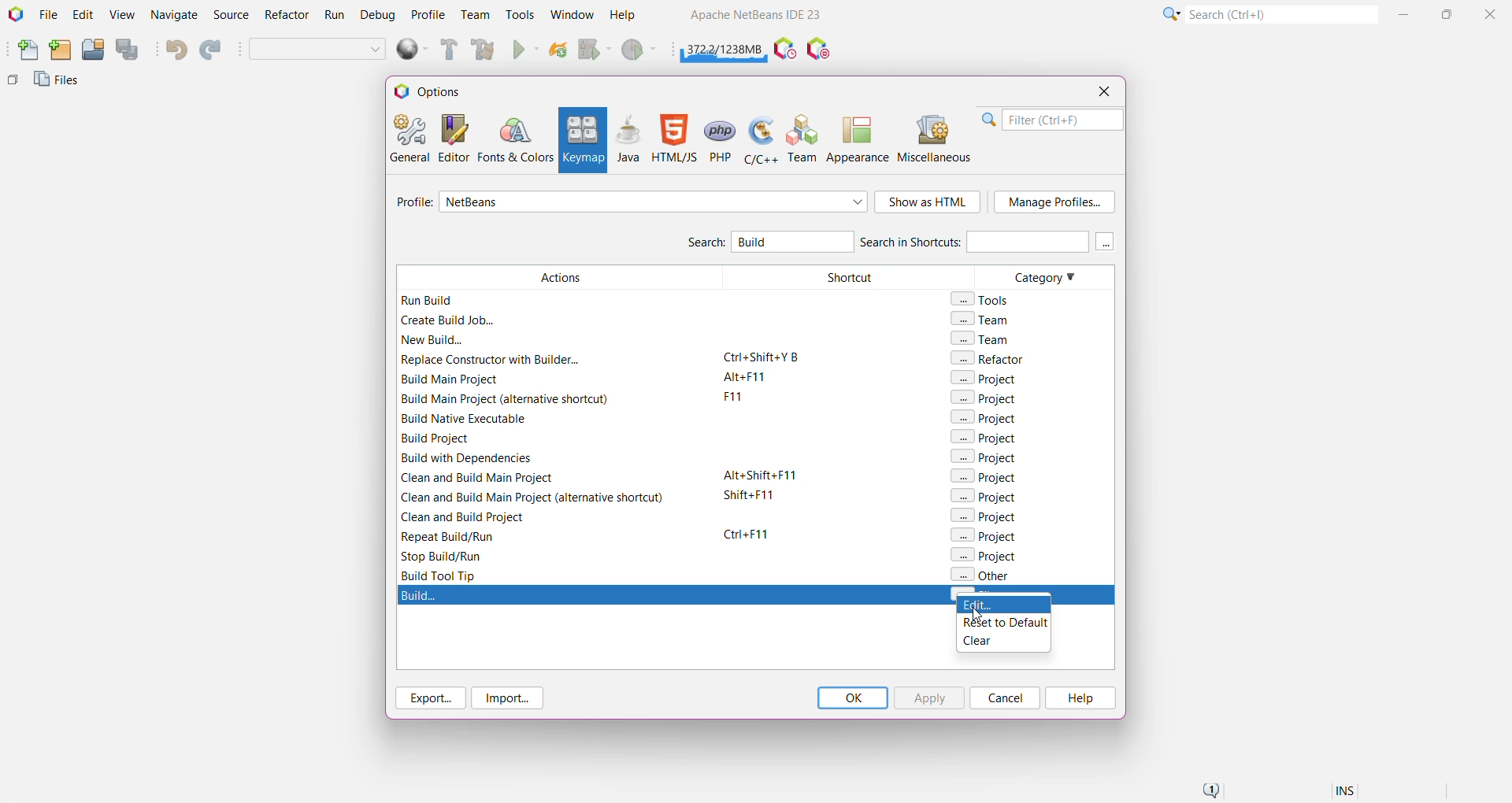  I want to click on HTML/JS, so click(673, 139).